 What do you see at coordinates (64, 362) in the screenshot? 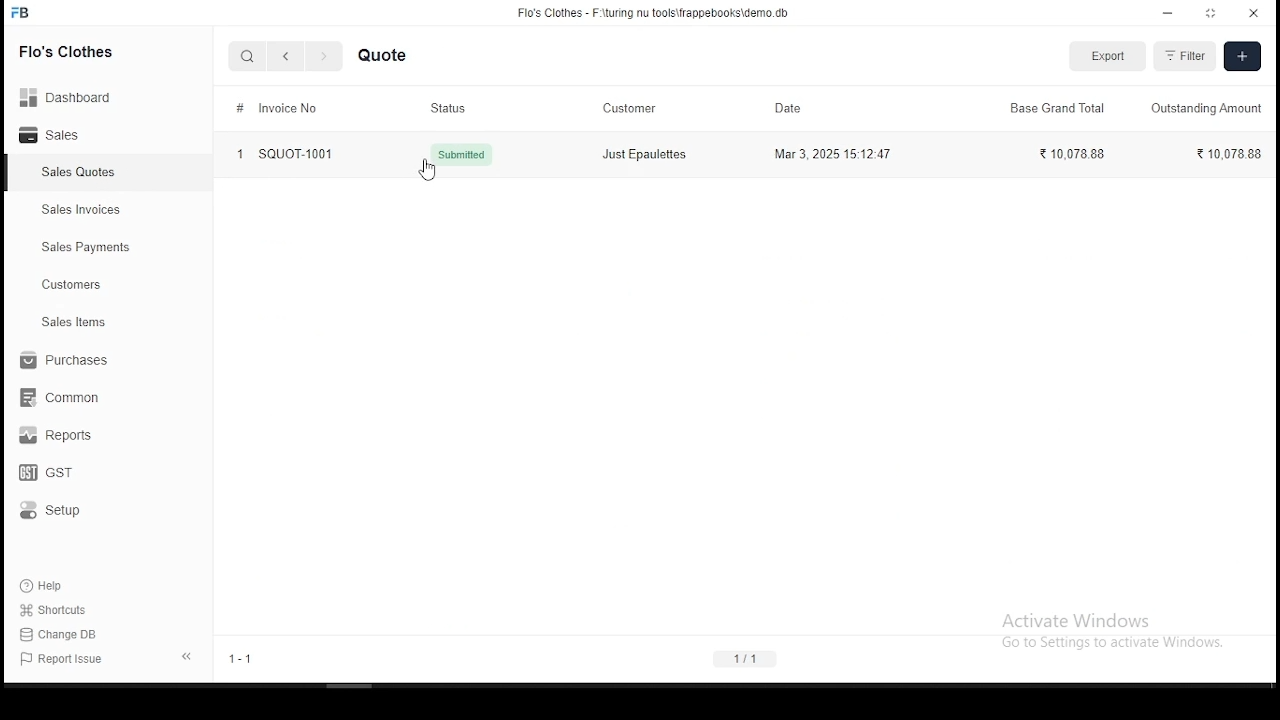
I see `purchases` at bounding box center [64, 362].